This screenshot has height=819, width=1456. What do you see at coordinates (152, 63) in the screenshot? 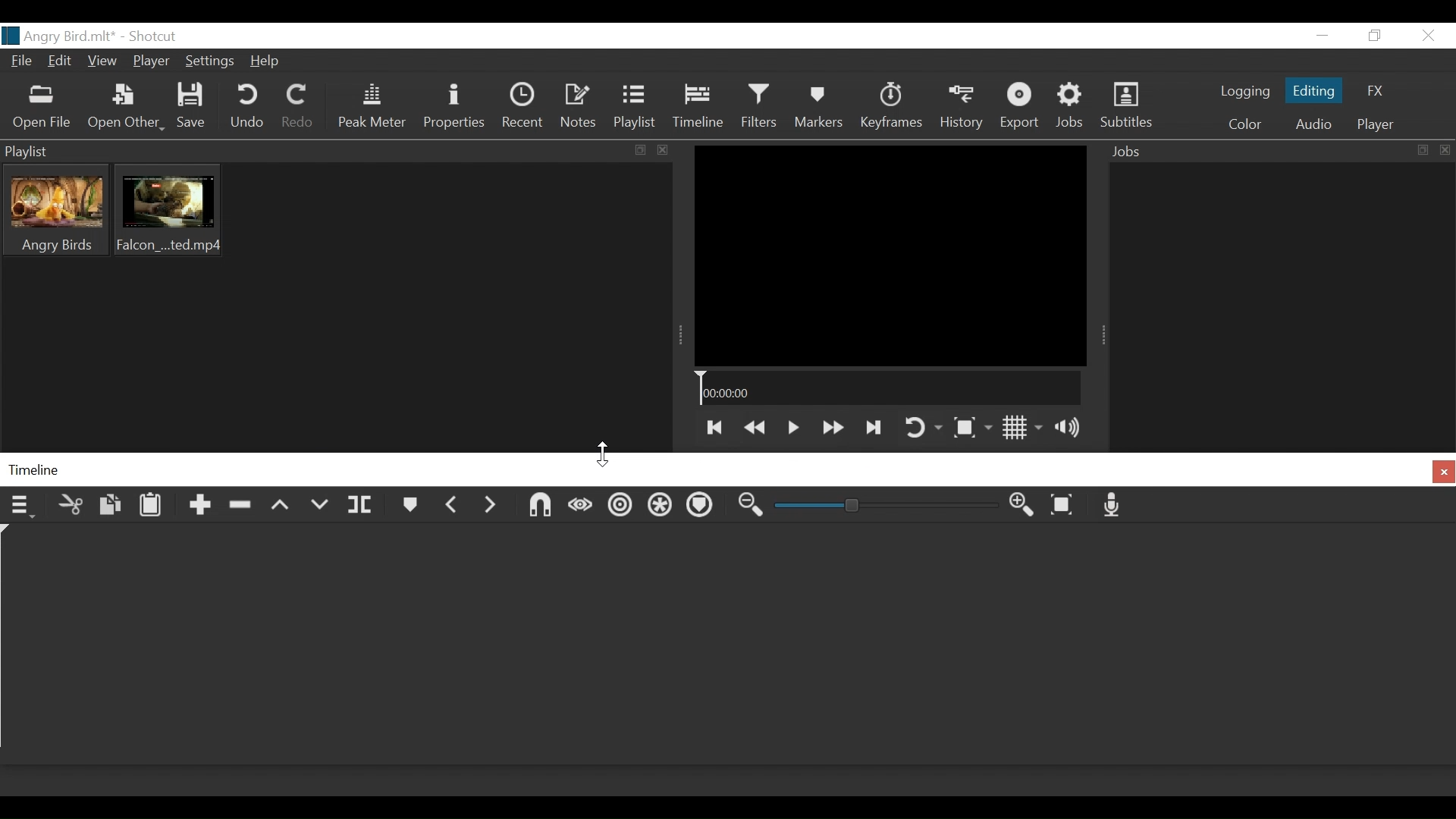
I see `Player` at bounding box center [152, 63].